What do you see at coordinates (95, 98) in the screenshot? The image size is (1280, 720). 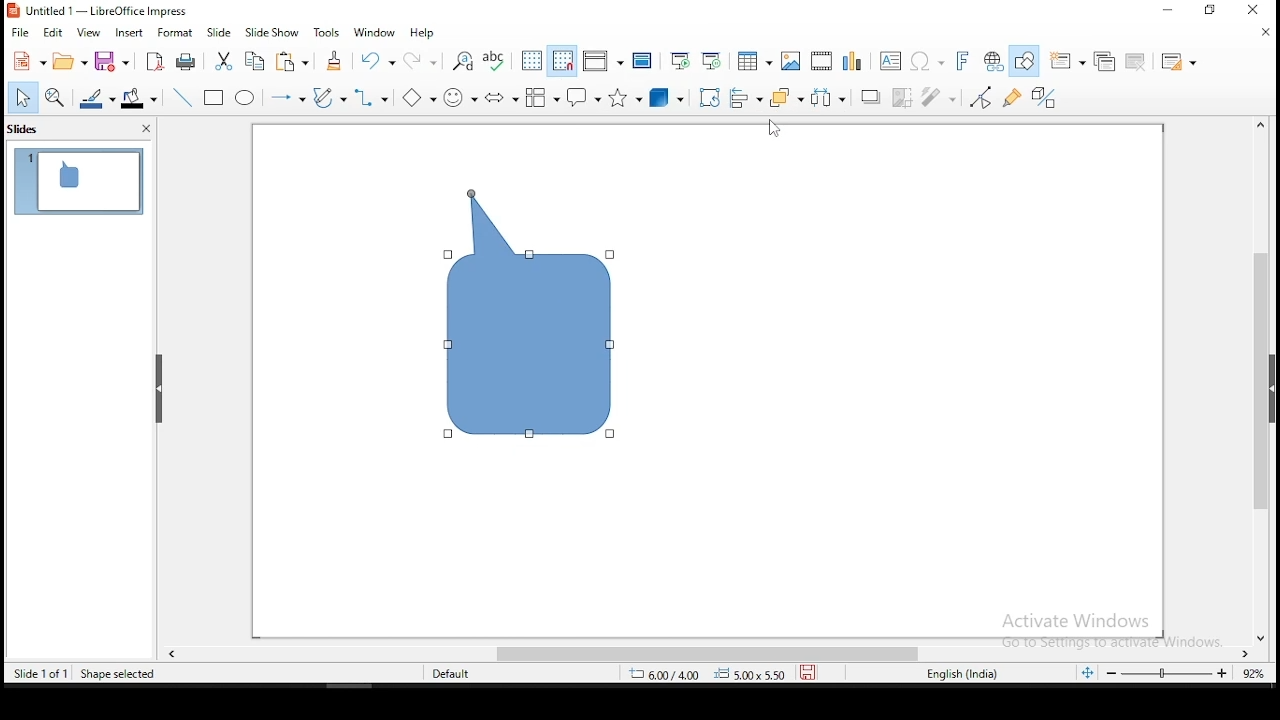 I see `line color` at bounding box center [95, 98].